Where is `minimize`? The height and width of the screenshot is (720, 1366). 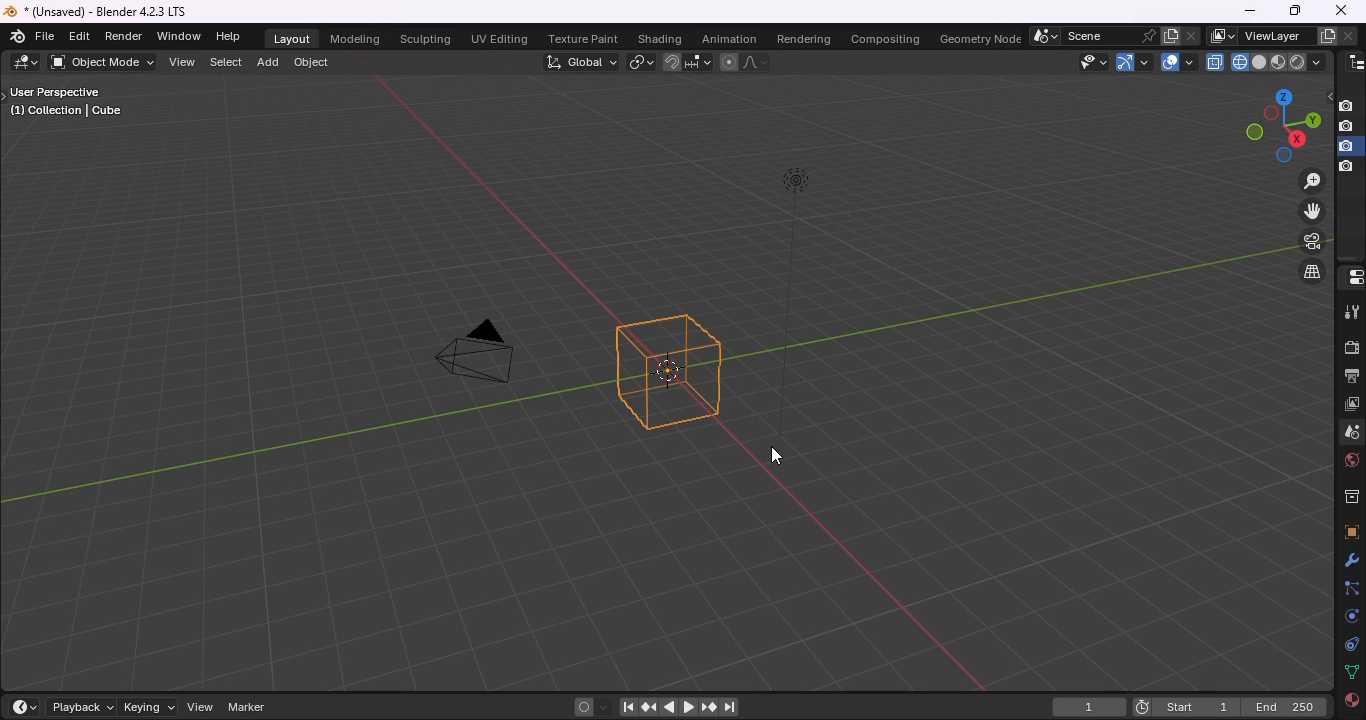
minimize is located at coordinates (1250, 10).